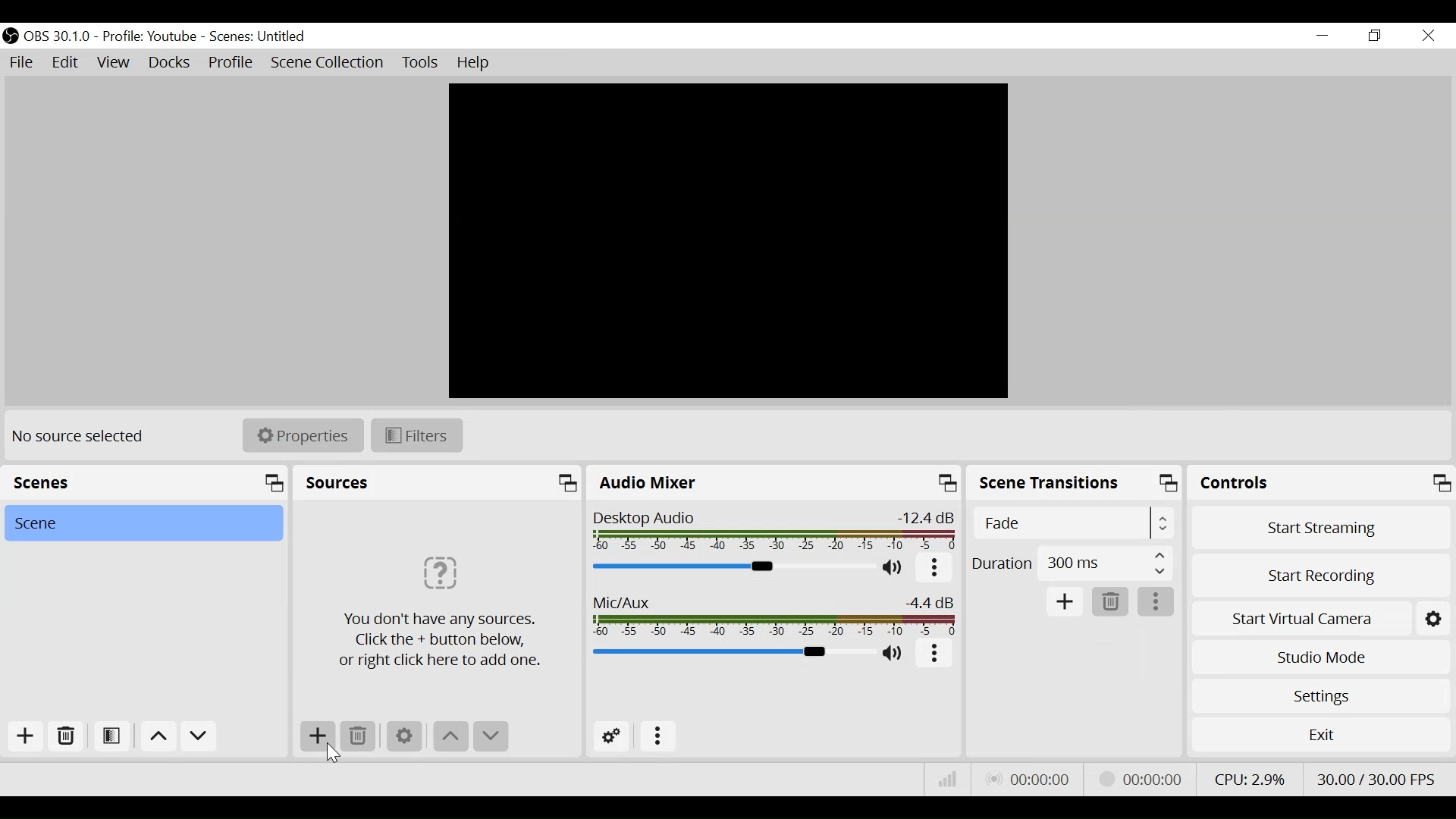 The height and width of the screenshot is (819, 1456). I want to click on Add, so click(318, 736).